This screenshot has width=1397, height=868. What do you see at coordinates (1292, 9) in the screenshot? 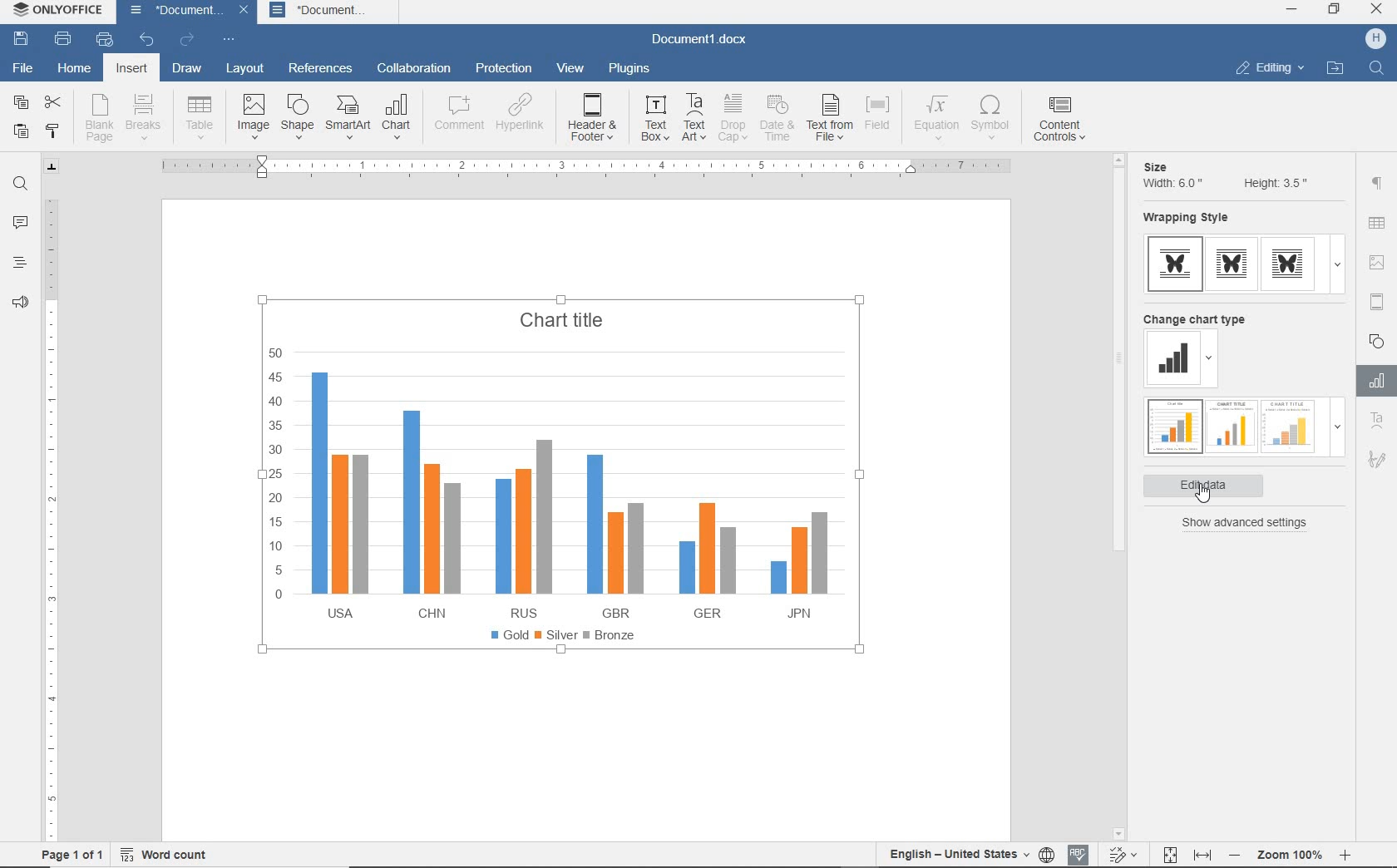
I see `minimize` at bounding box center [1292, 9].